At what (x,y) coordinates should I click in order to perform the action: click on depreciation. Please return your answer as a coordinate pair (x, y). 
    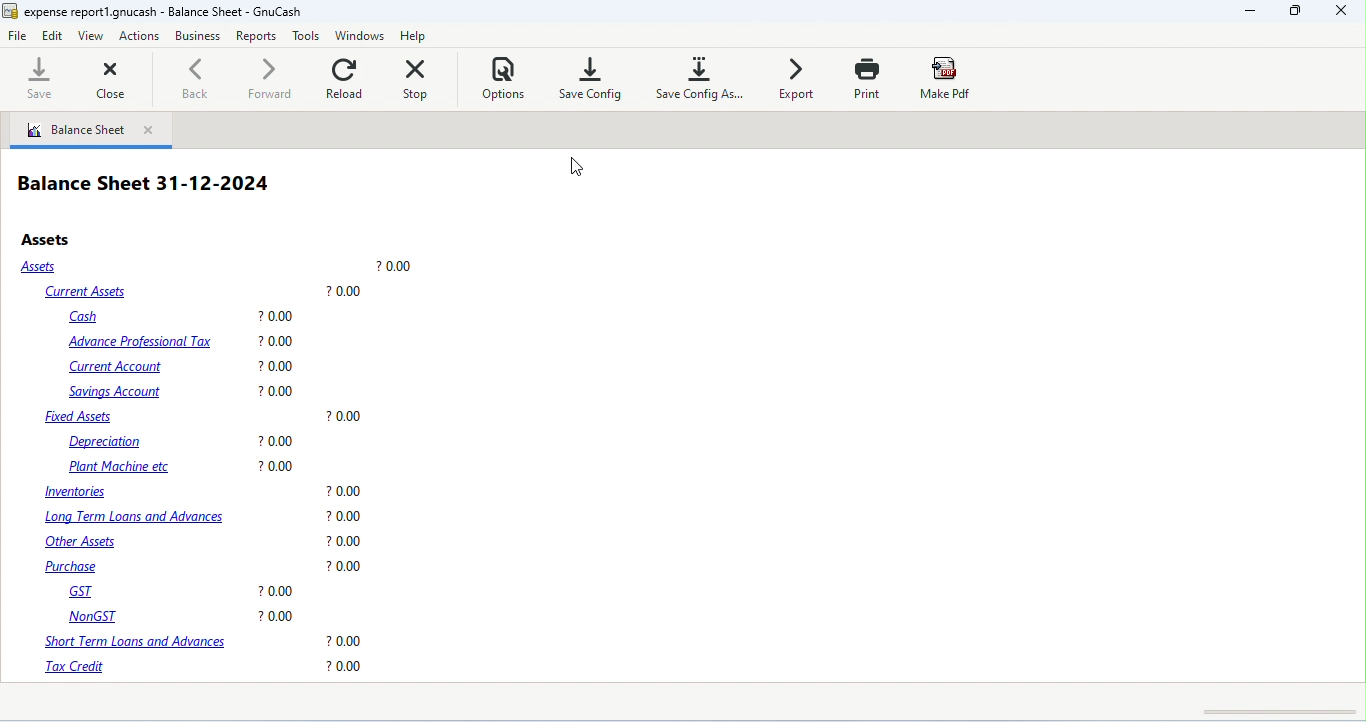
    Looking at the image, I should click on (184, 442).